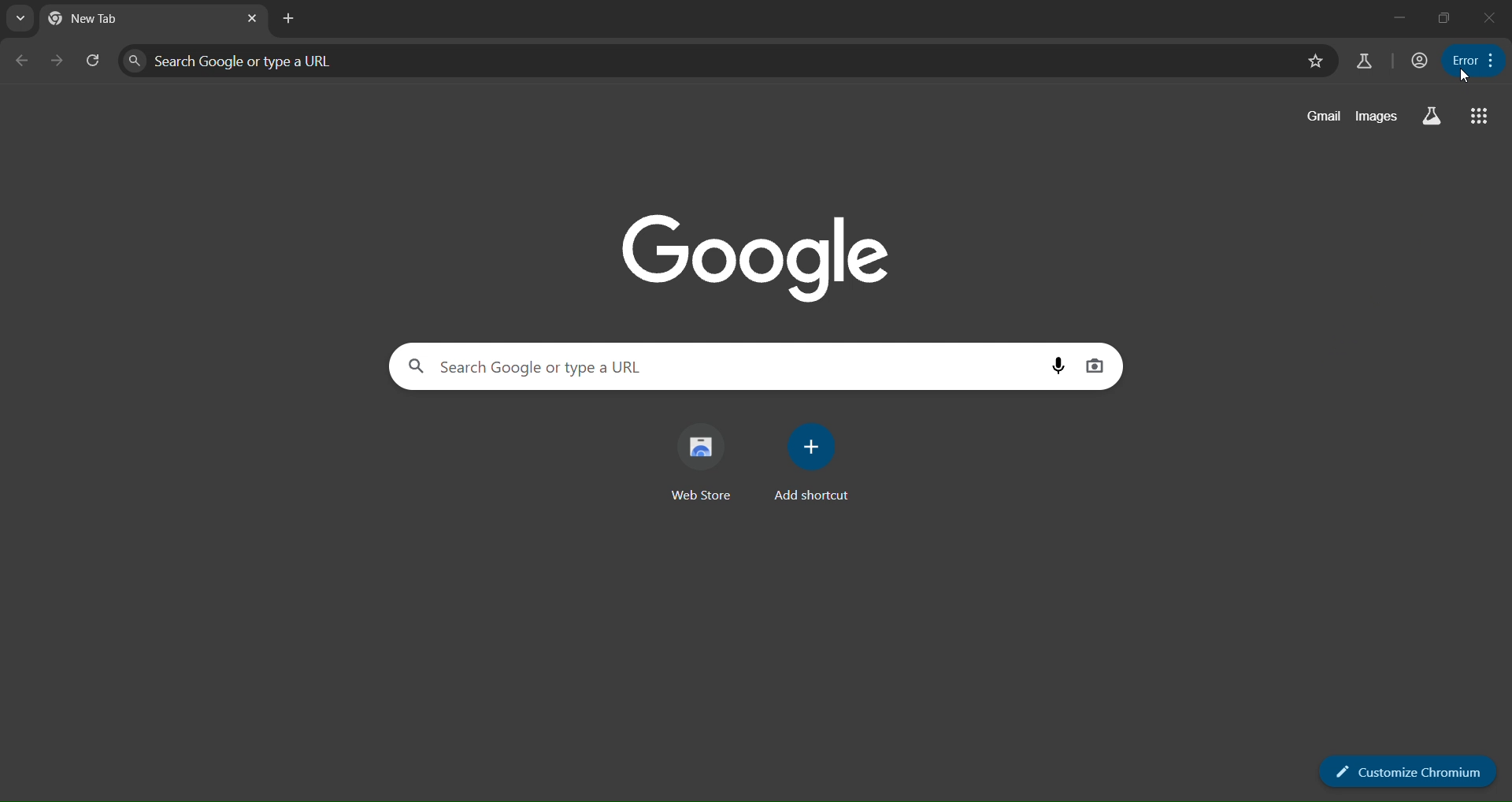 The height and width of the screenshot is (802, 1512). What do you see at coordinates (717, 366) in the screenshot?
I see `search  google or type a URL` at bounding box center [717, 366].